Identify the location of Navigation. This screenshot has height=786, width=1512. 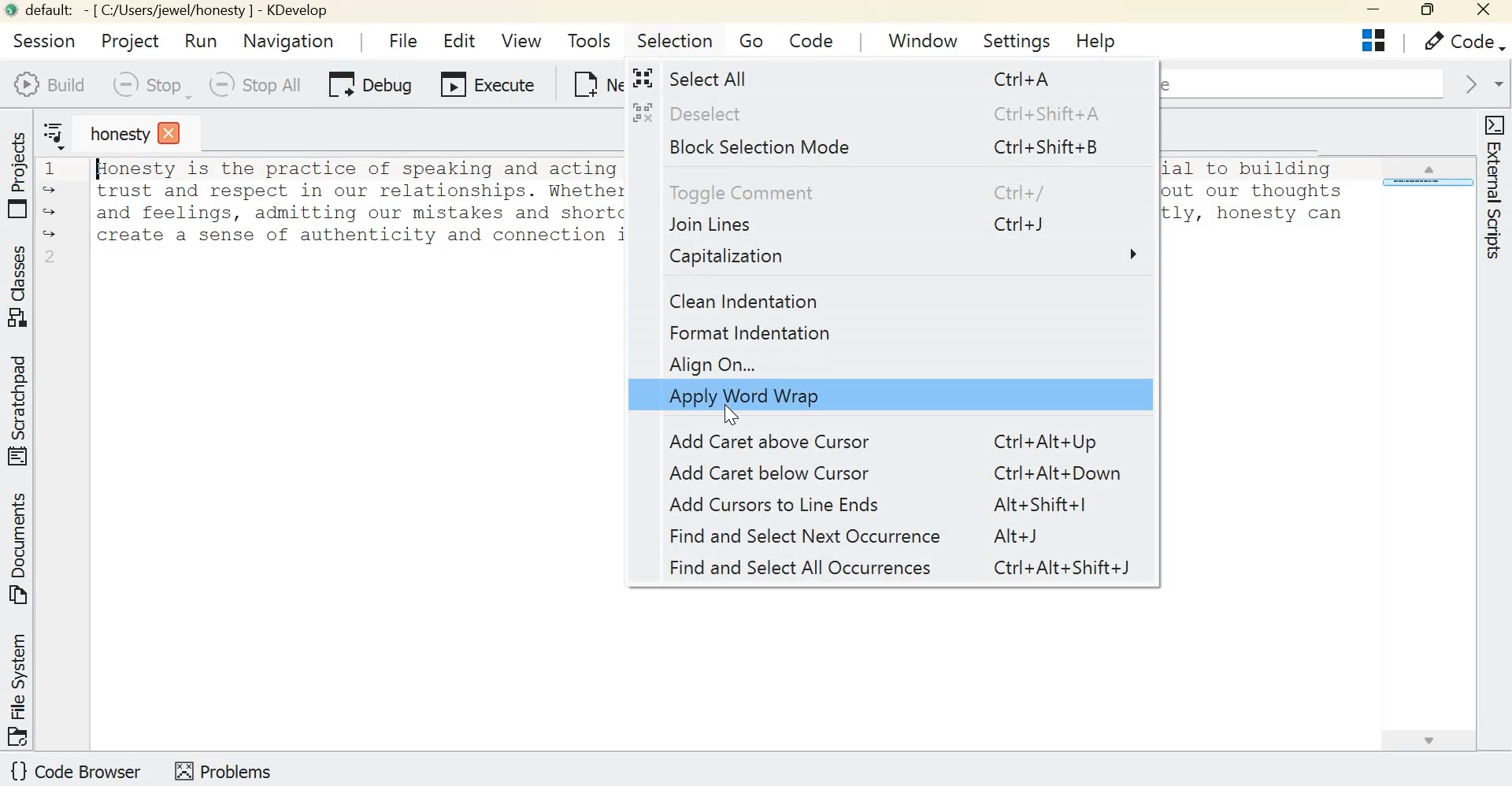
(290, 40).